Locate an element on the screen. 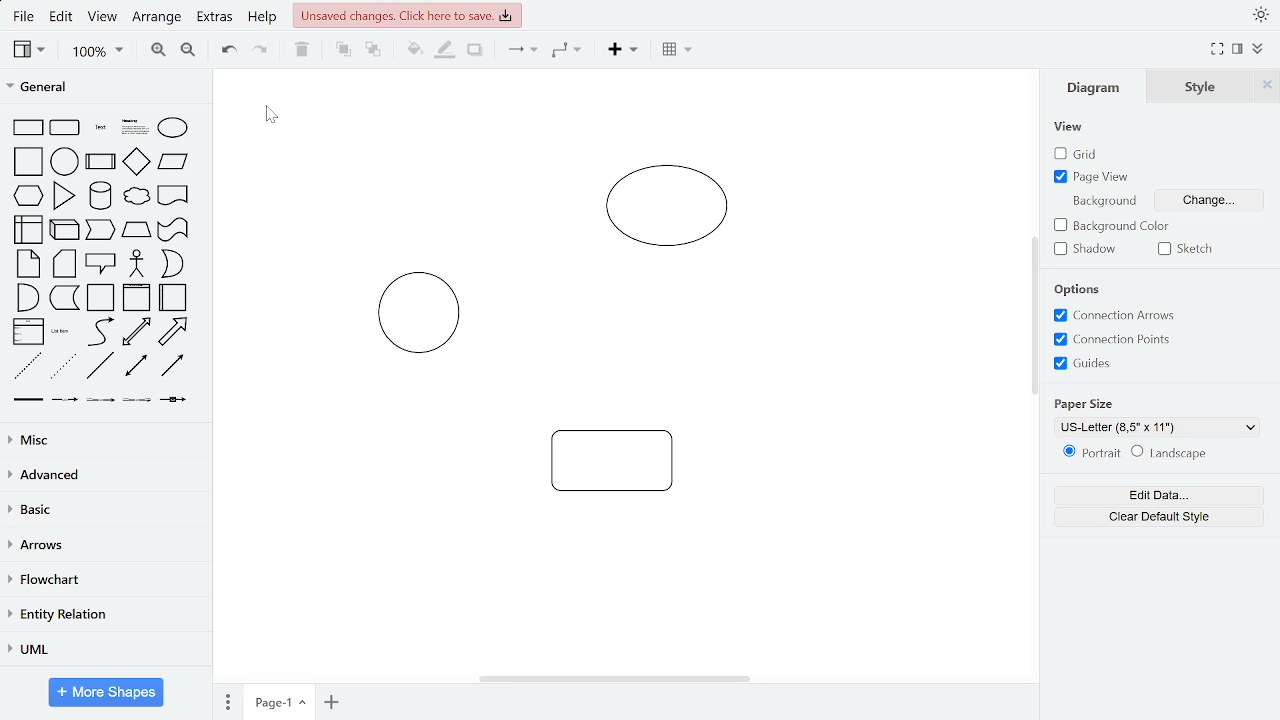 This screenshot has height=720, width=1280. callout is located at coordinates (101, 263).